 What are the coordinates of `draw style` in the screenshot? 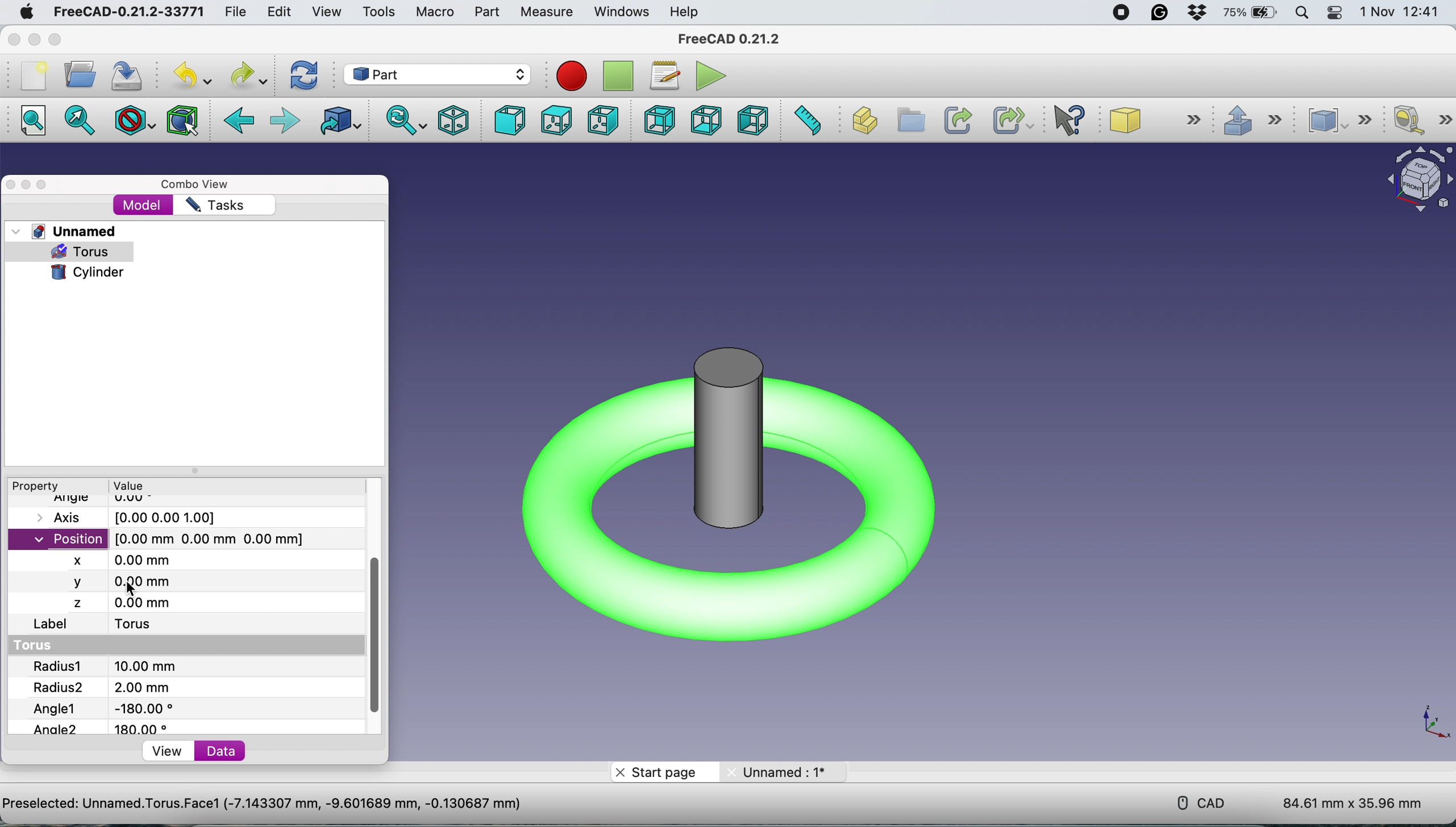 It's located at (137, 119).